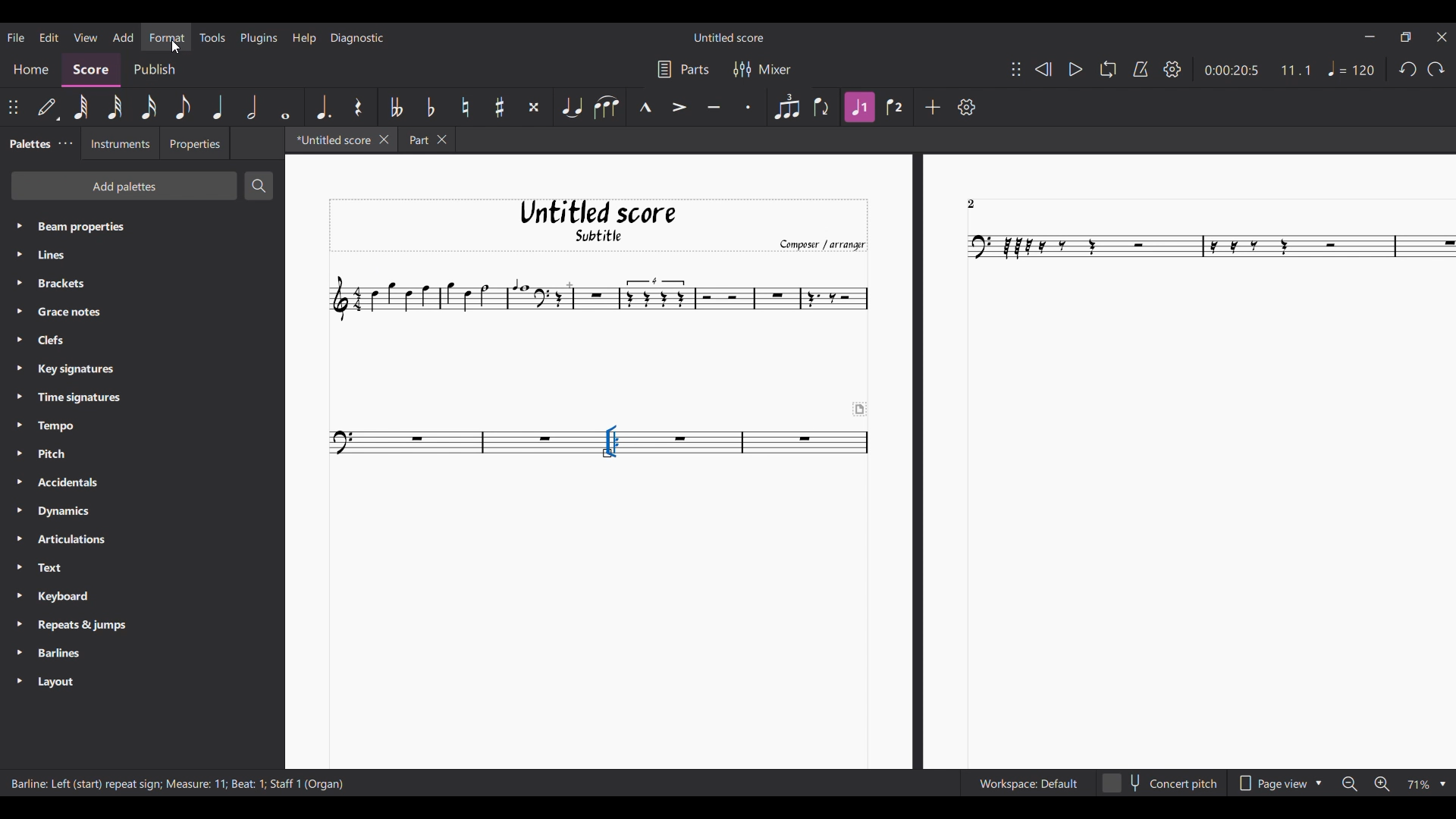 Image resolution: width=1456 pixels, height=819 pixels. What do you see at coordinates (1351, 68) in the screenshot?
I see `Tempo` at bounding box center [1351, 68].